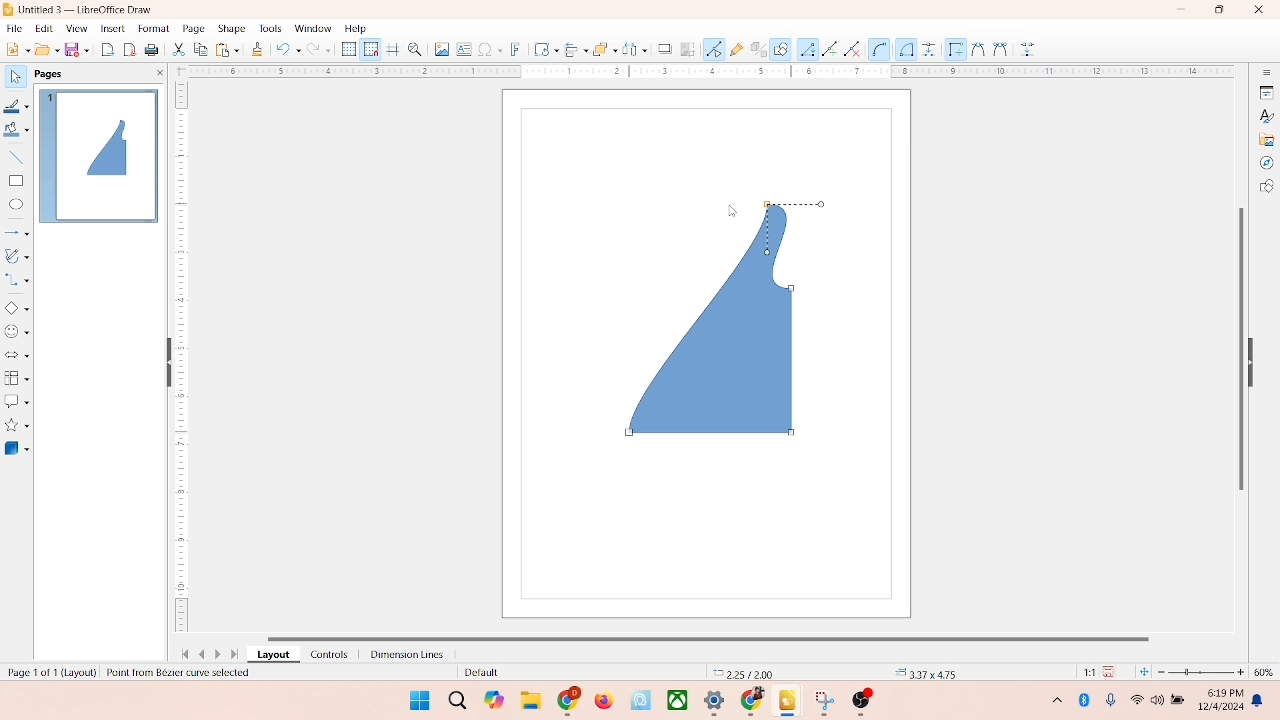 Image resolution: width=1280 pixels, height=720 pixels. I want to click on select at least three object to distribute, so click(630, 50).